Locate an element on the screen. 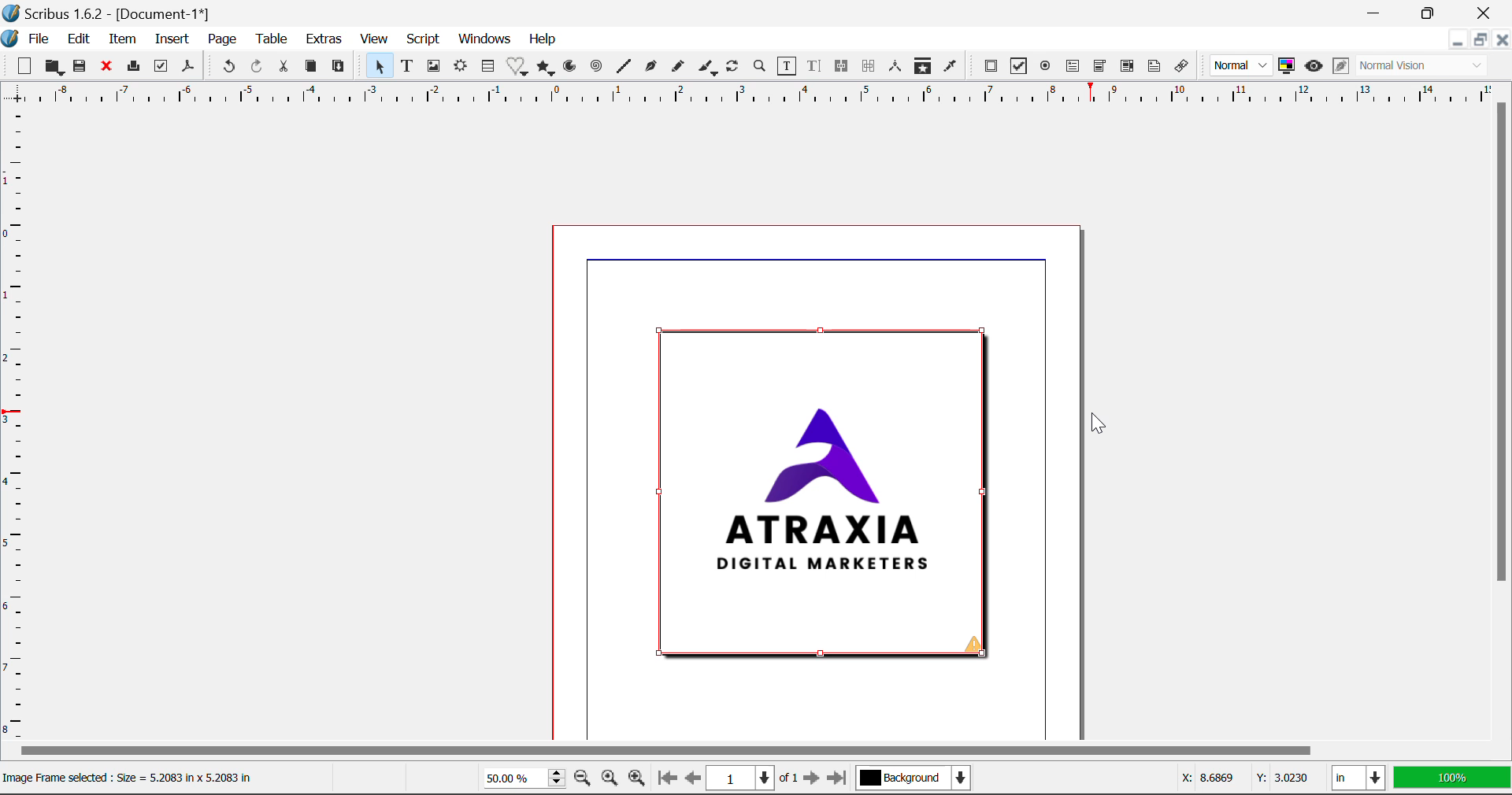  100% is located at coordinates (1454, 778).